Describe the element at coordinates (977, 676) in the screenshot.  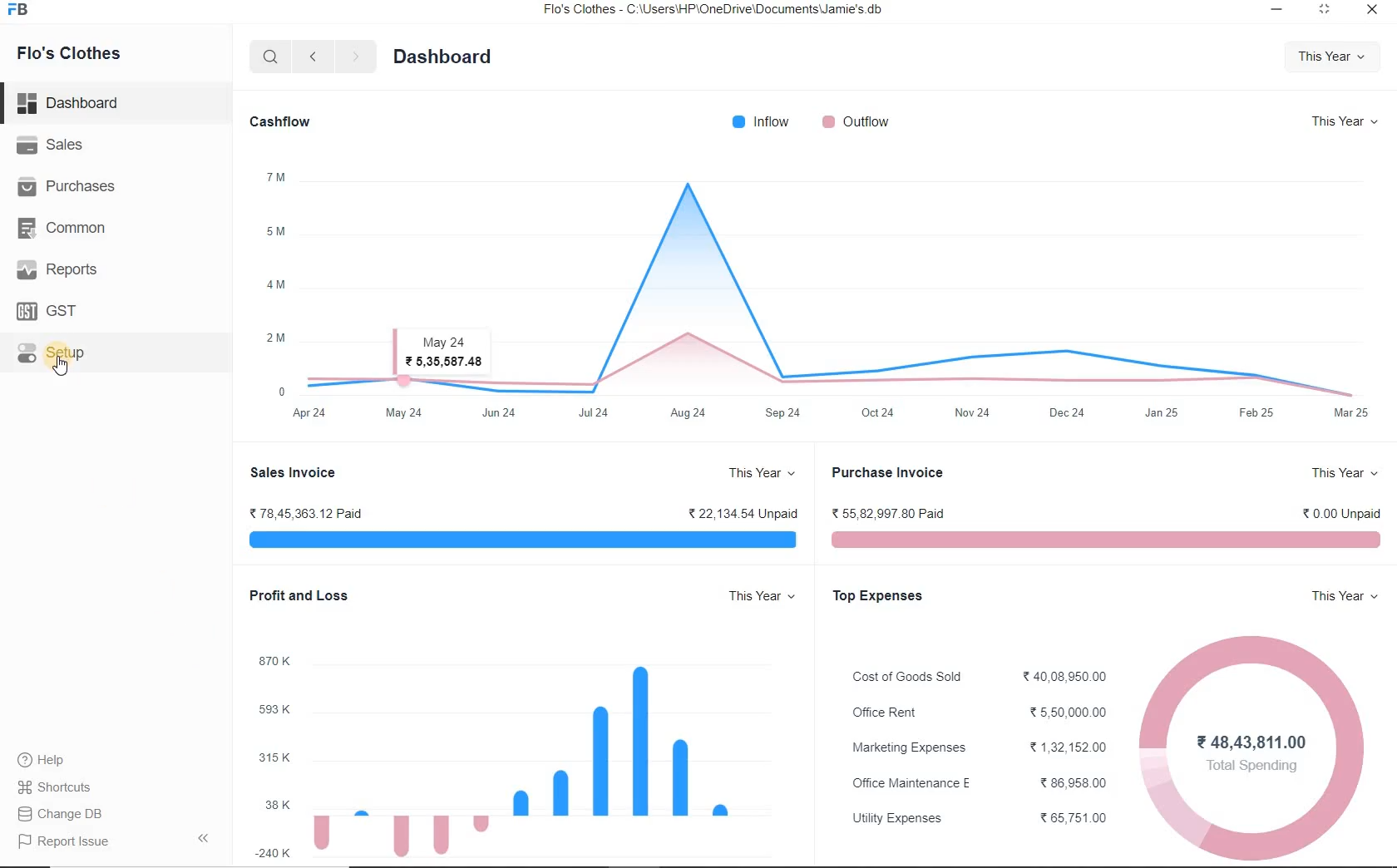
I see `Cost of Goods Sold ¥40,08,950.00` at that location.